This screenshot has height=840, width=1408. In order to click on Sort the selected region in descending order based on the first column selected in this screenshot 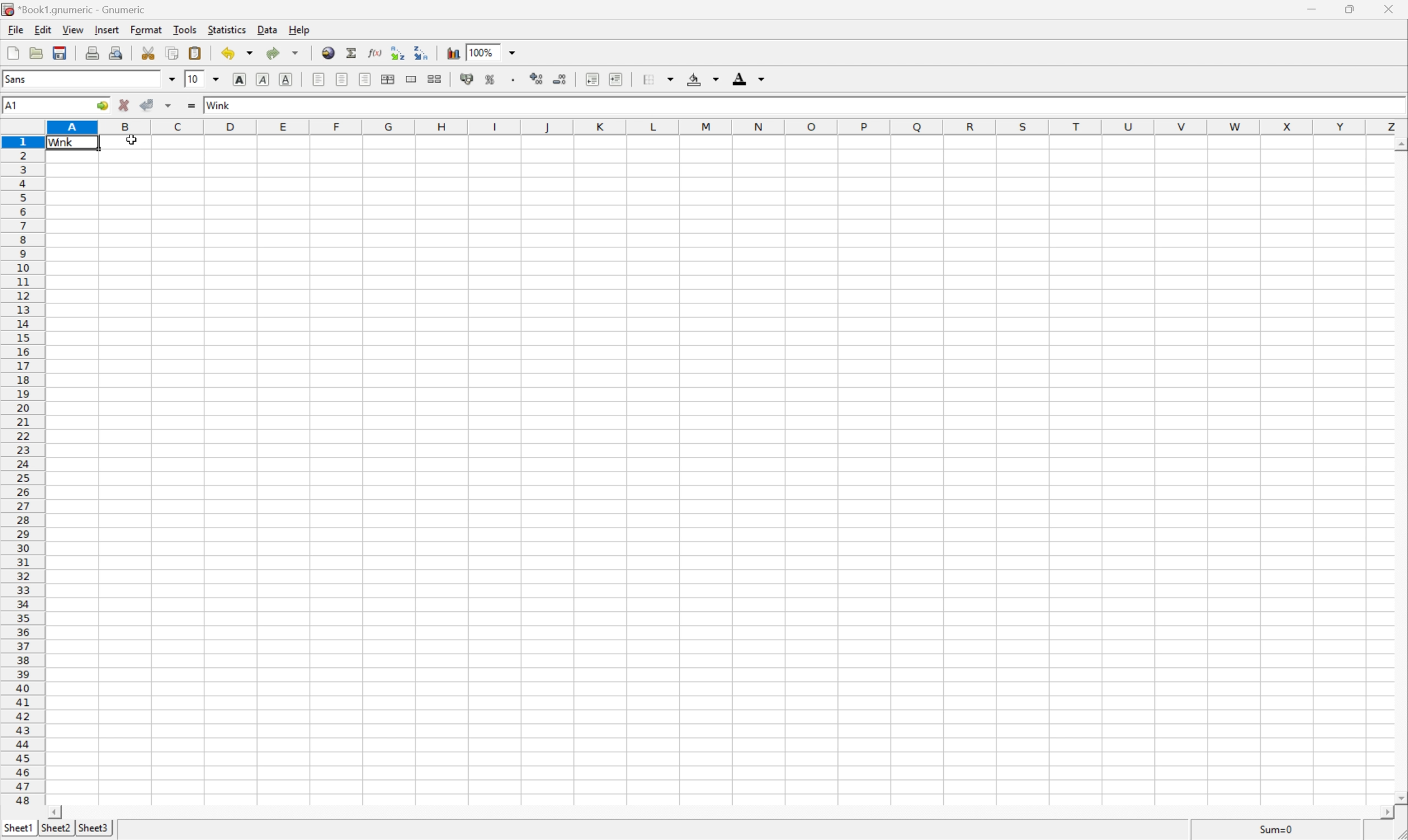, I will do `click(422, 52)`.